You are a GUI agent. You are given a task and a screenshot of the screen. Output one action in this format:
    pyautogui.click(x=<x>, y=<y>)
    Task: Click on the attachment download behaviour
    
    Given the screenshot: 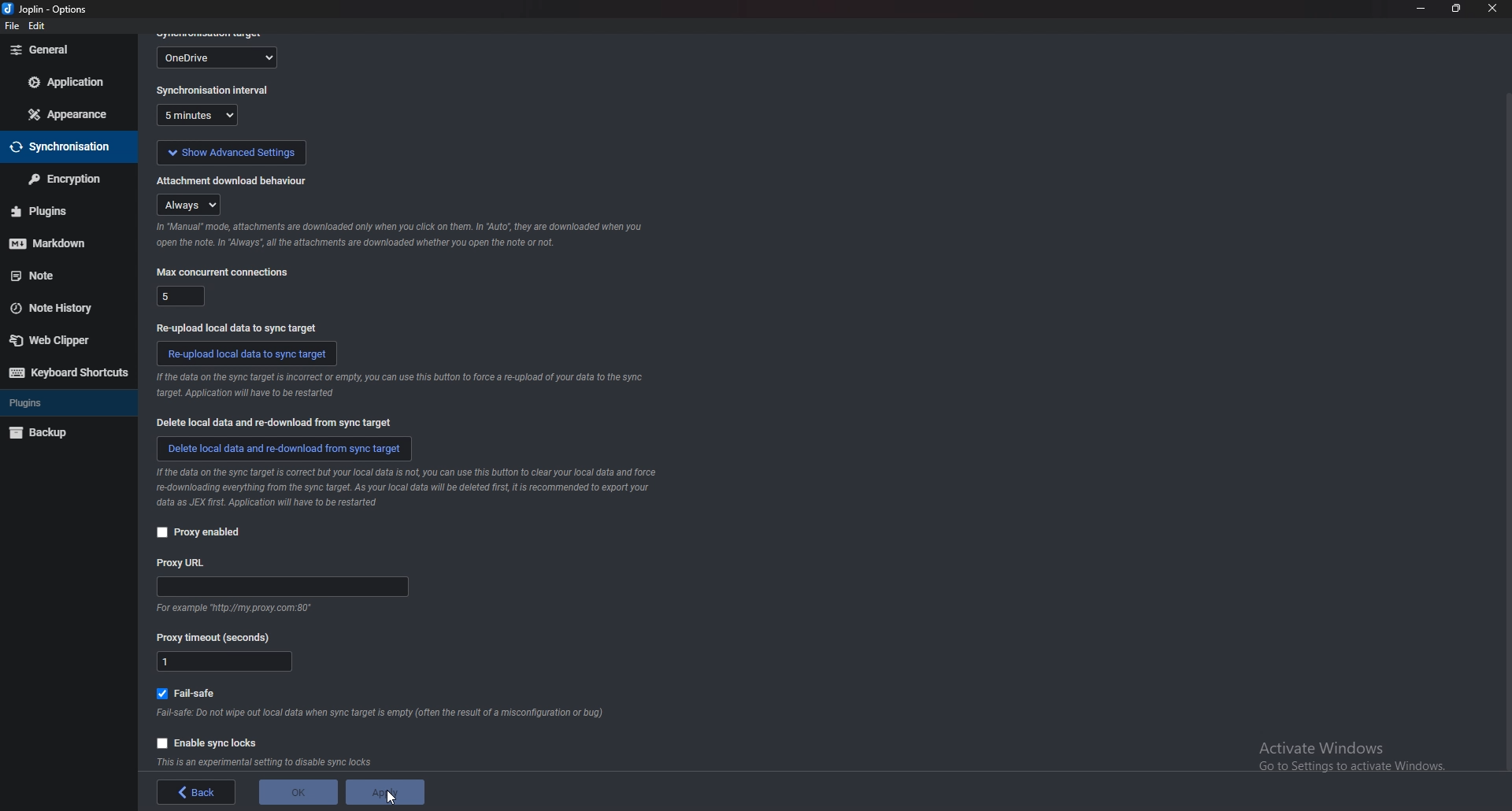 What is the action you would take?
    pyautogui.click(x=192, y=204)
    